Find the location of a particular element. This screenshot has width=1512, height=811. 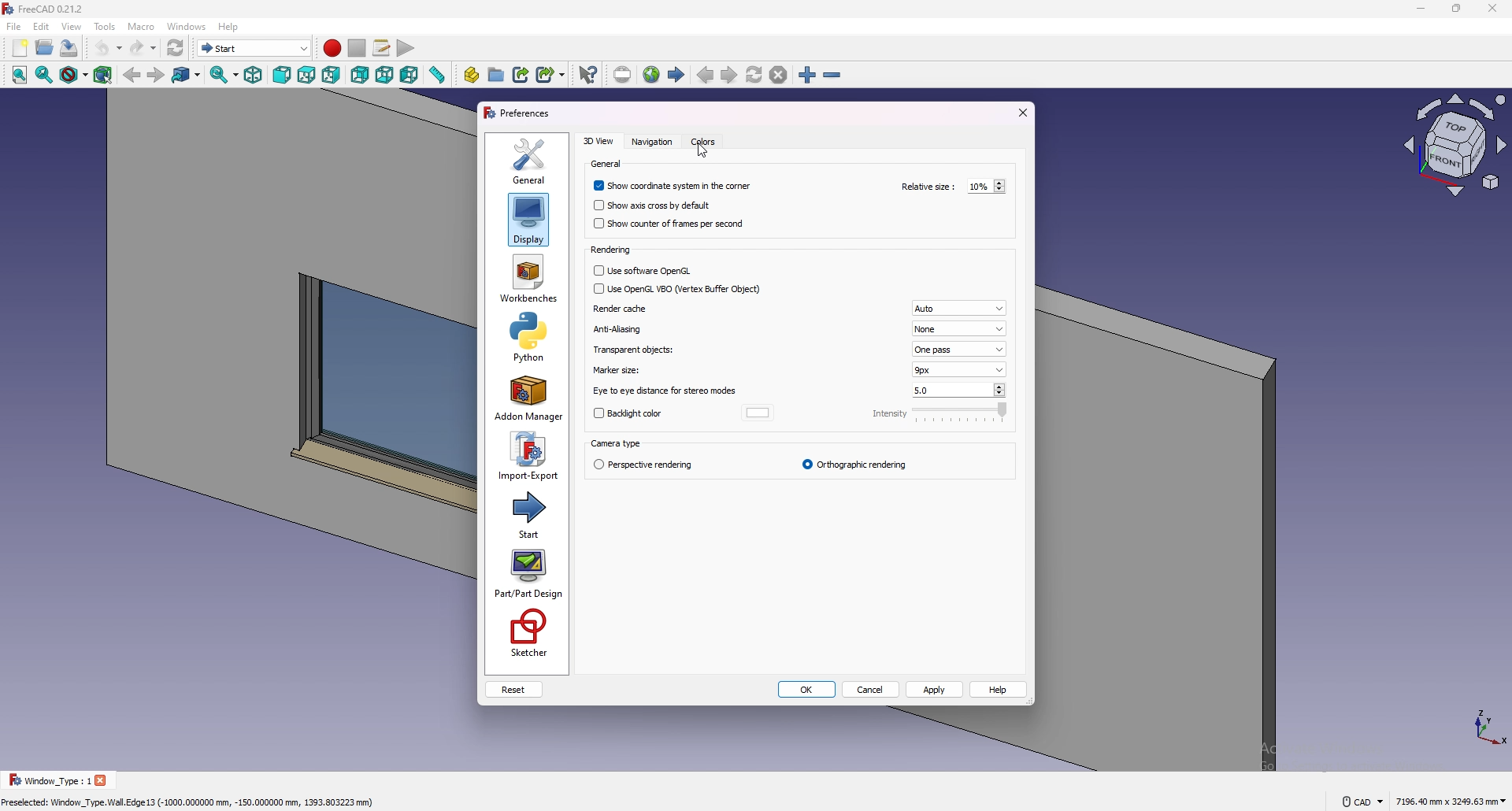

sync view is located at coordinates (224, 75).